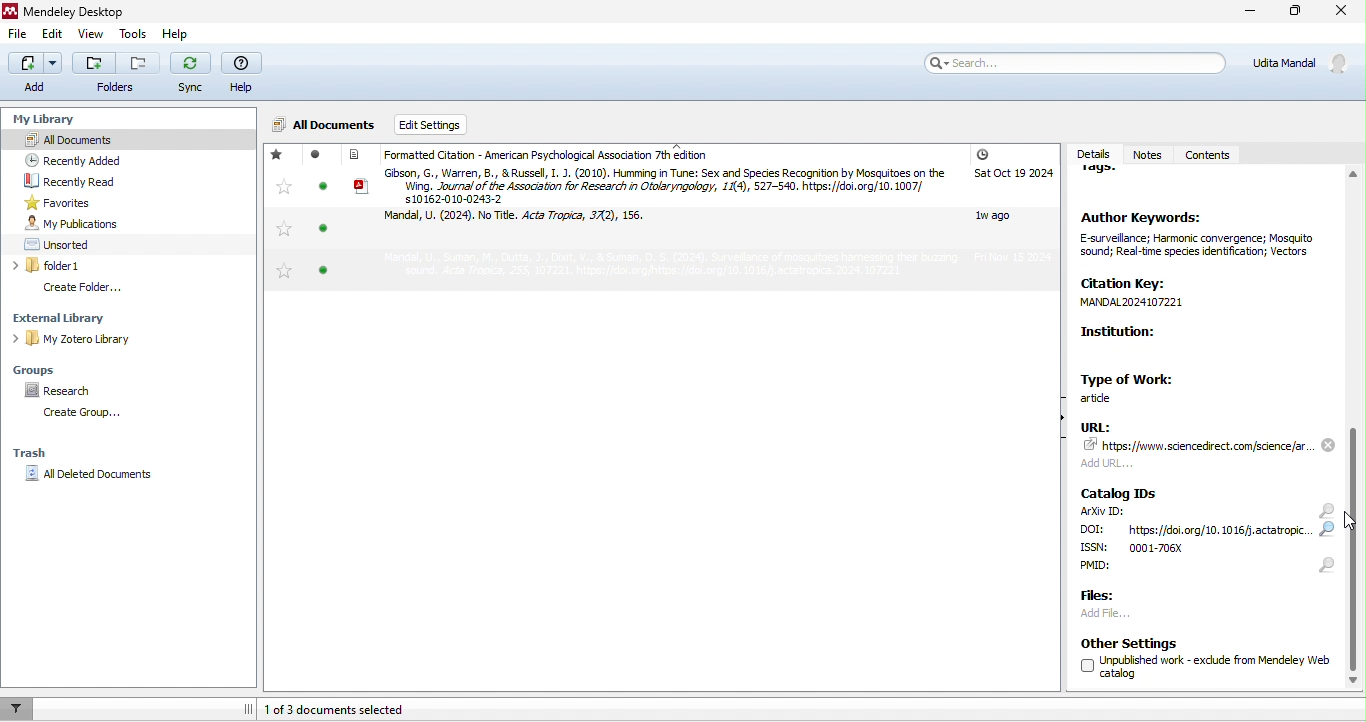 The image size is (1366, 722). What do you see at coordinates (319, 219) in the screenshot?
I see `read/unread` at bounding box center [319, 219].